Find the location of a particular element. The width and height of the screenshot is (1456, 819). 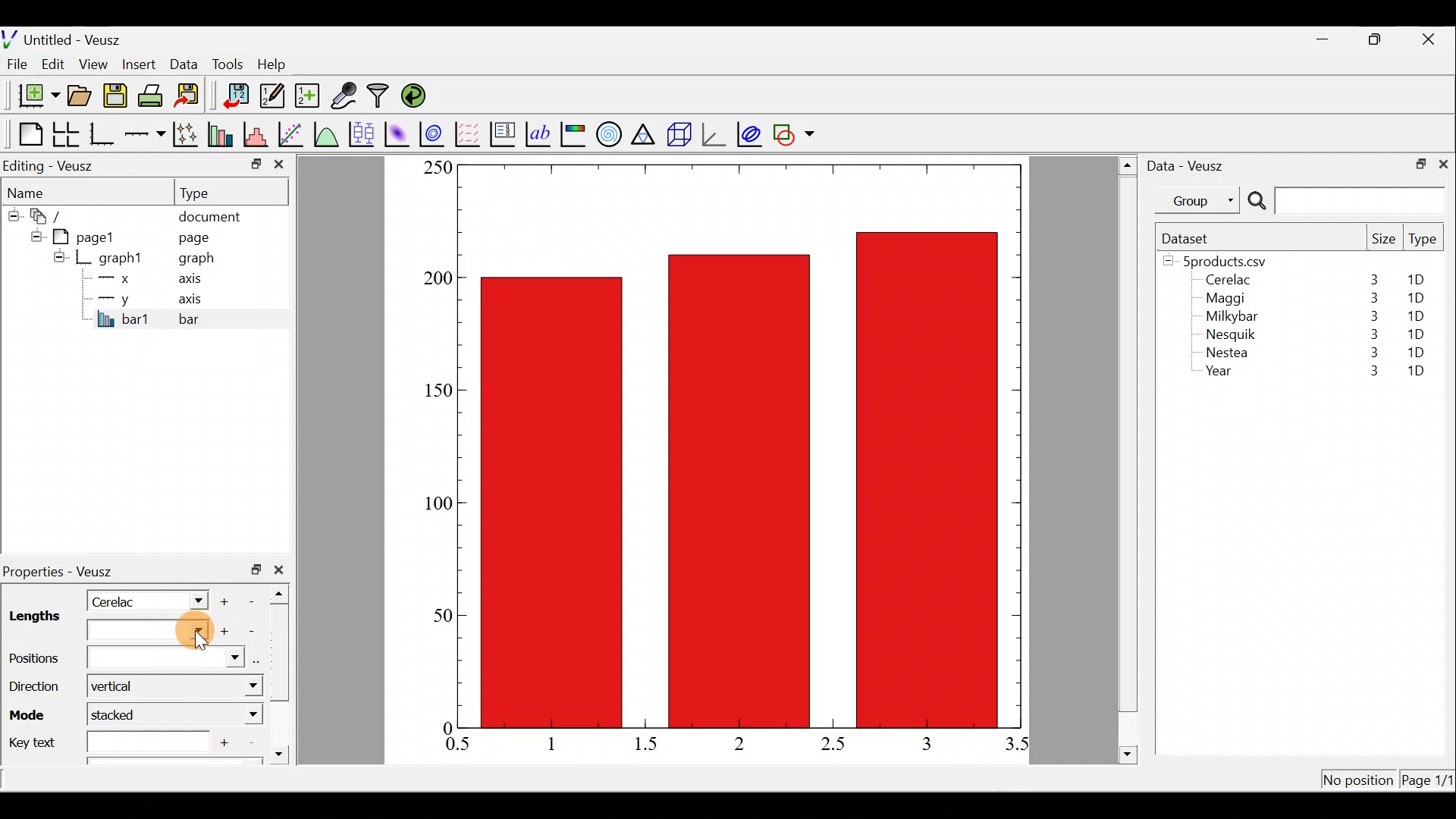

Add another item is located at coordinates (222, 632).